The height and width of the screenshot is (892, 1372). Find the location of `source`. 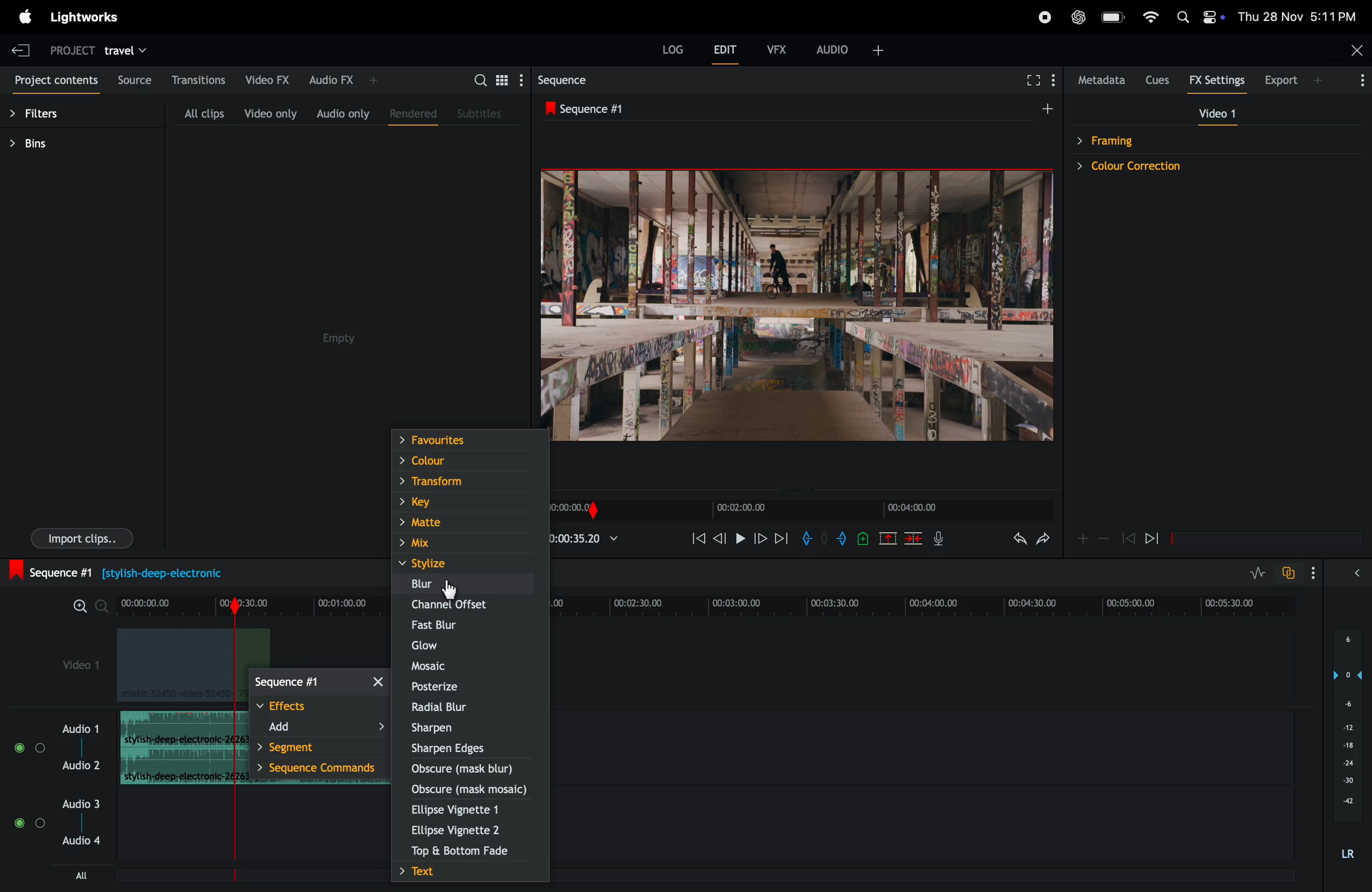

source is located at coordinates (133, 78).